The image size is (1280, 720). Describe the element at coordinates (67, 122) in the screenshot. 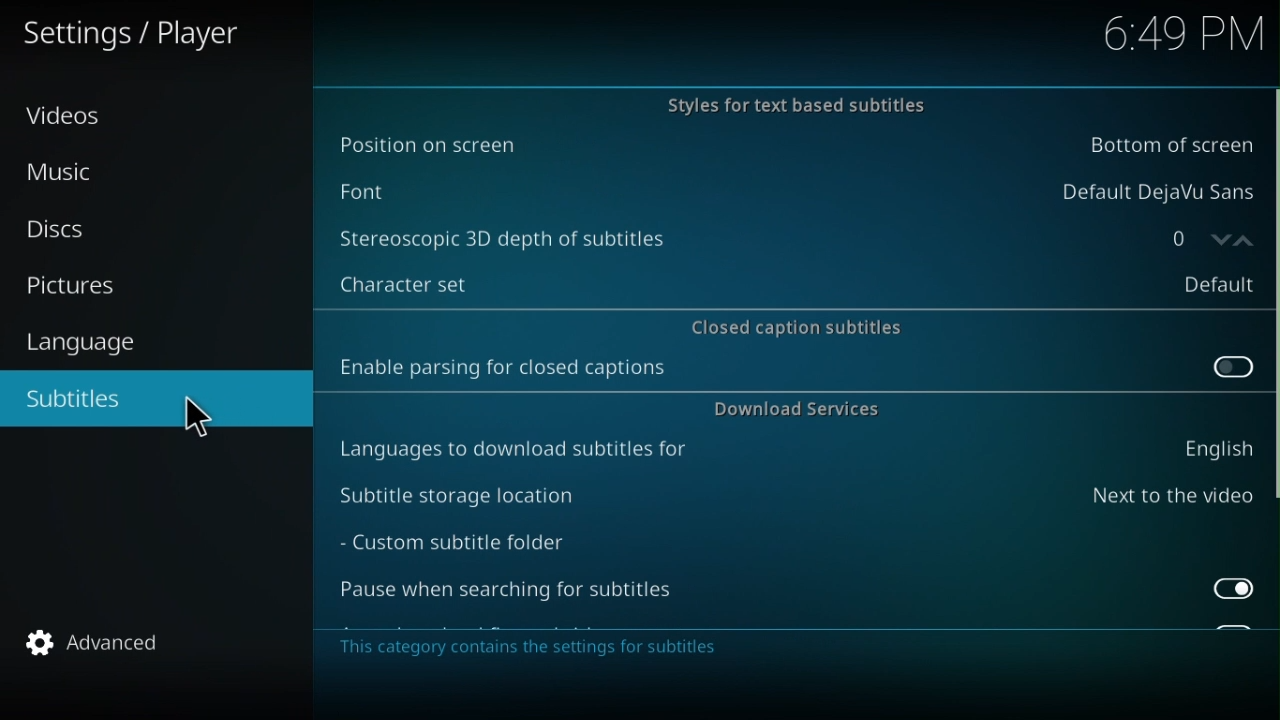

I see `Video` at that location.